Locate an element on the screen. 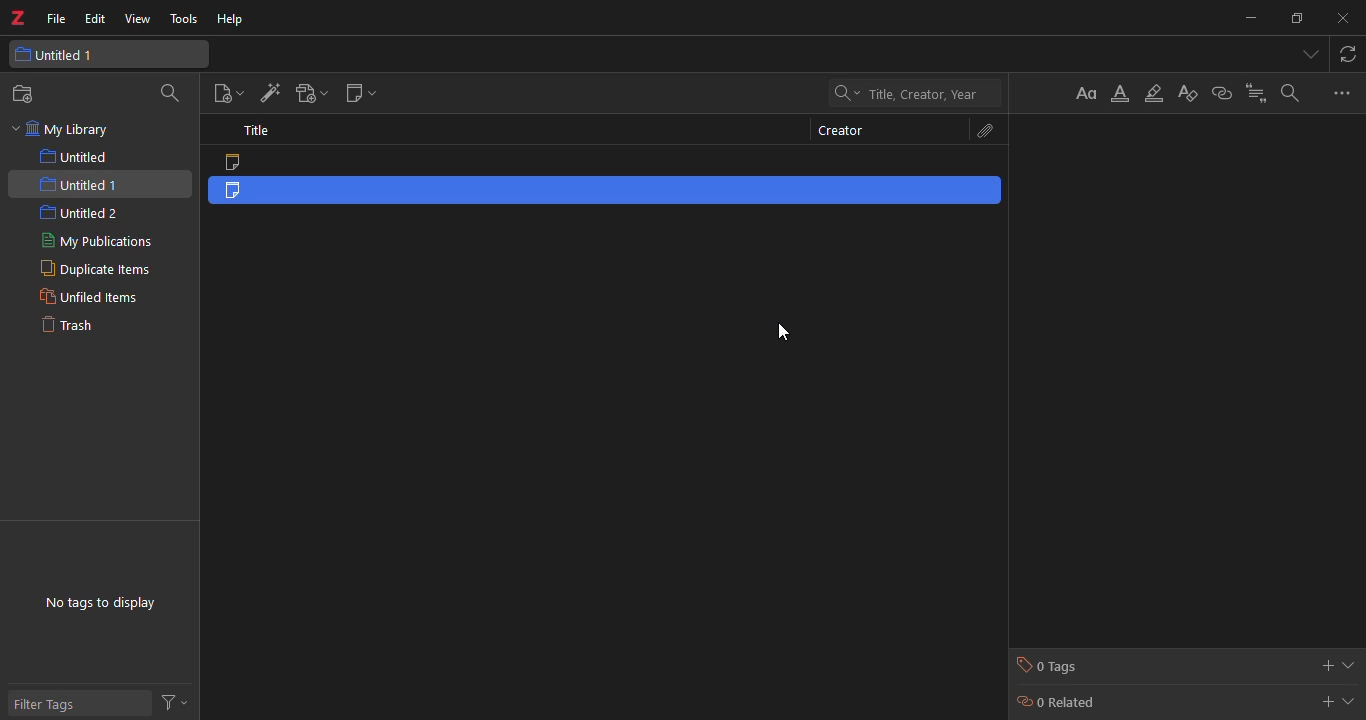 The image size is (1366, 720). trash is located at coordinates (68, 324).